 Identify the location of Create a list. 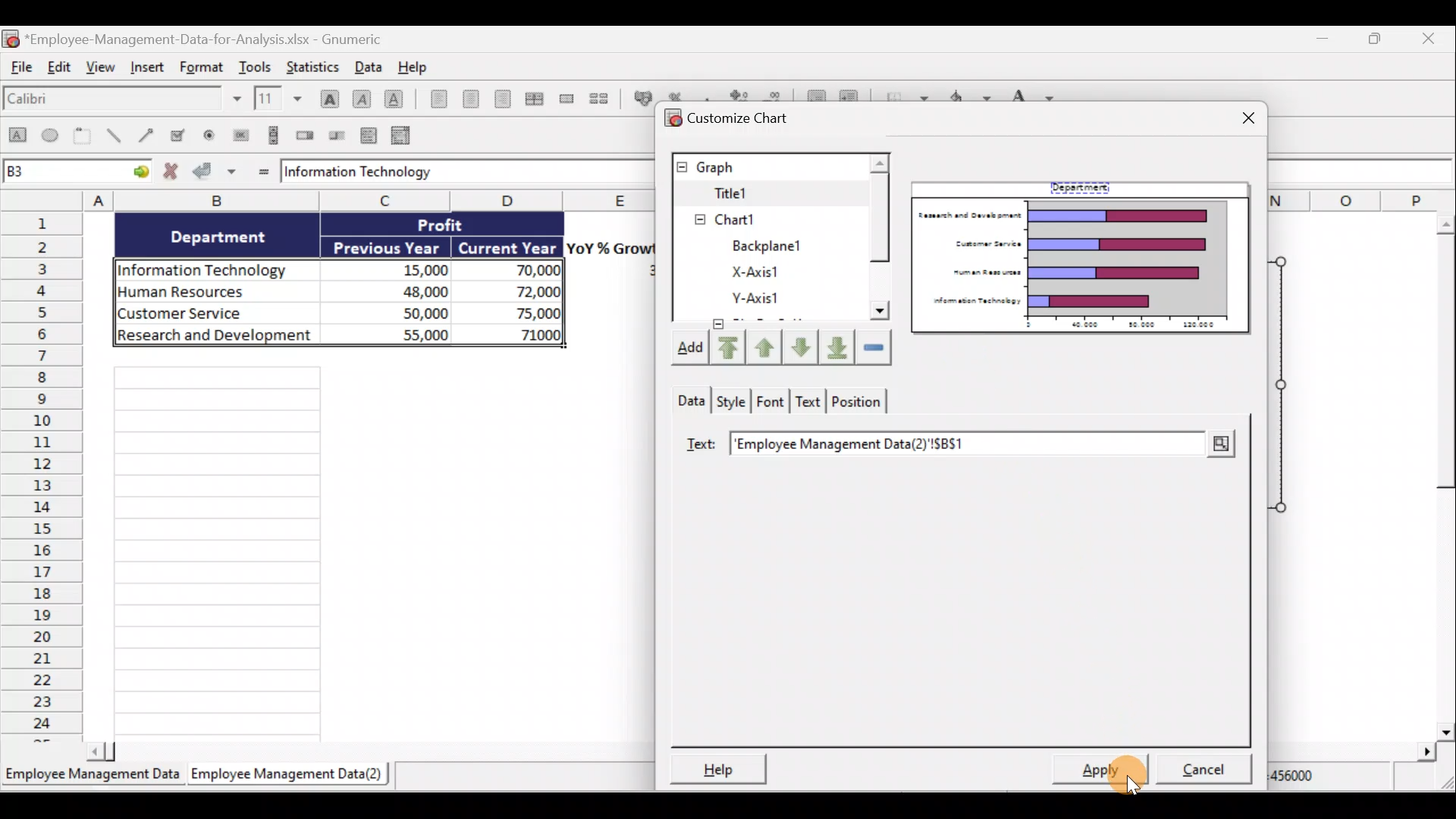
(370, 132).